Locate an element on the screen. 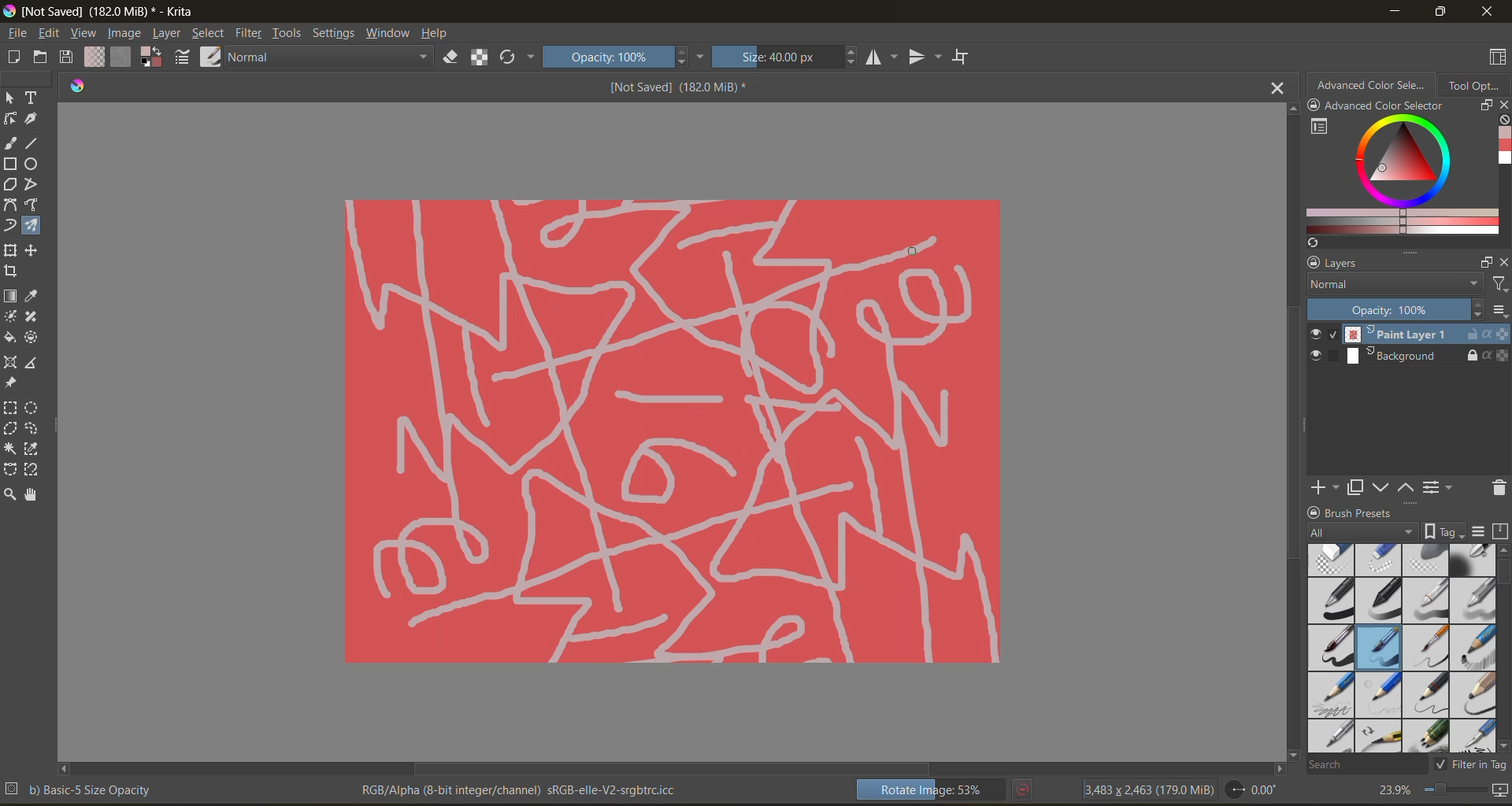  layers is located at coordinates (1426, 346).